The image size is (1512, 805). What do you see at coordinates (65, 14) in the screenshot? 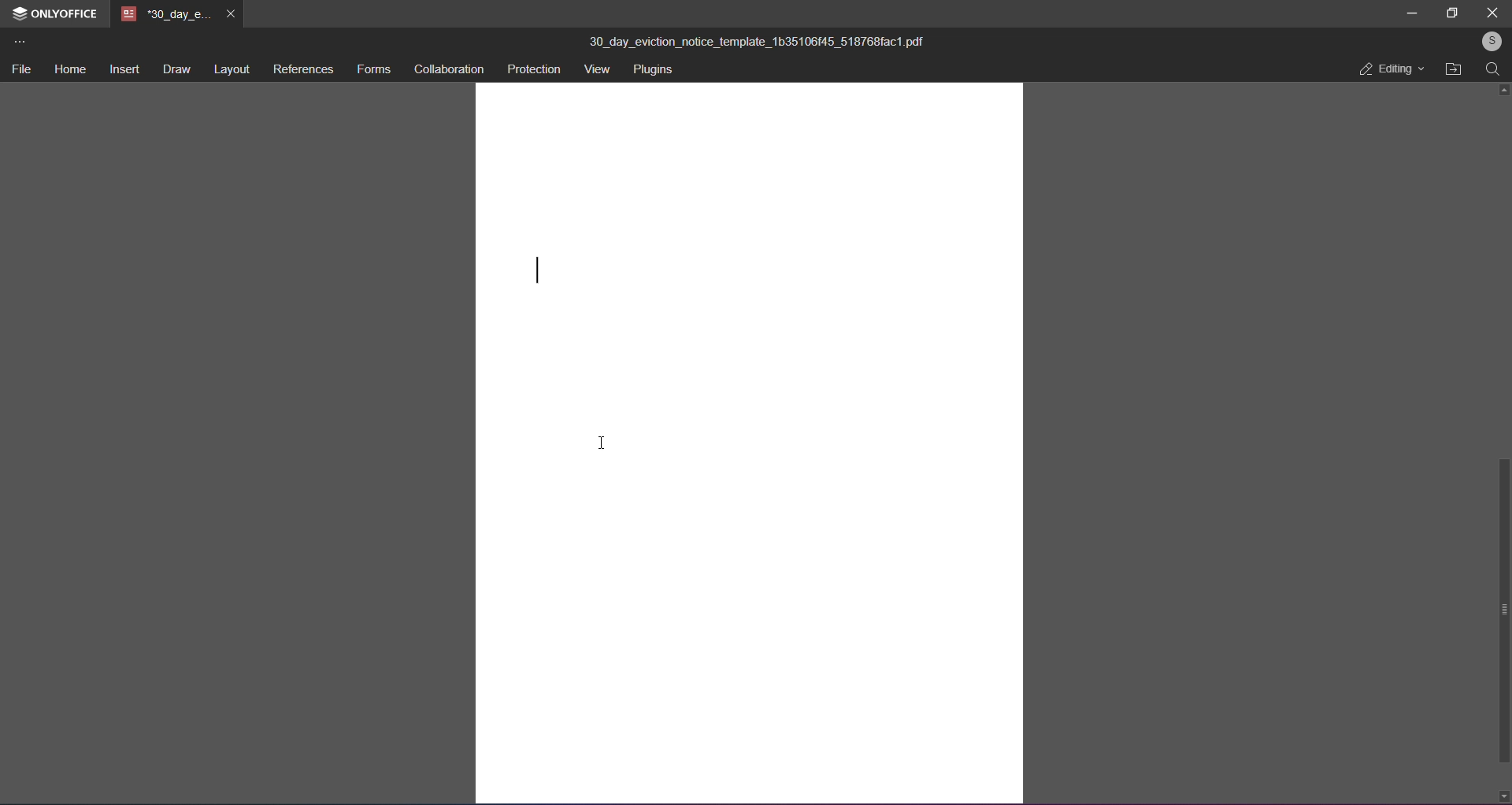
I see `onlyoffice` at bounding box center [65, 14].